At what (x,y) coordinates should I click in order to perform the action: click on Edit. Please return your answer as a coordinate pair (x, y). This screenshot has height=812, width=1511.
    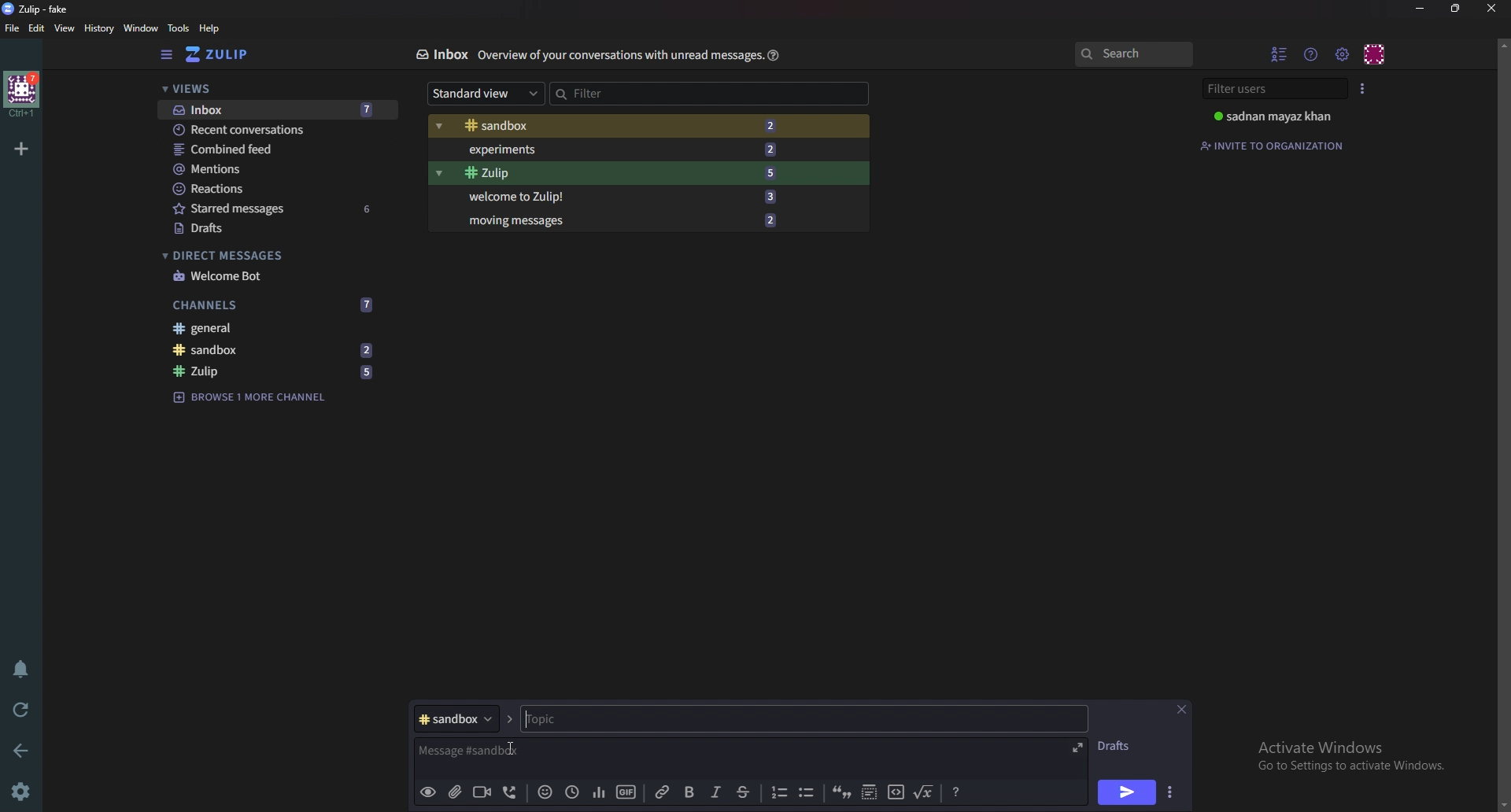
    Looking at the image, I should click on (37, 28).